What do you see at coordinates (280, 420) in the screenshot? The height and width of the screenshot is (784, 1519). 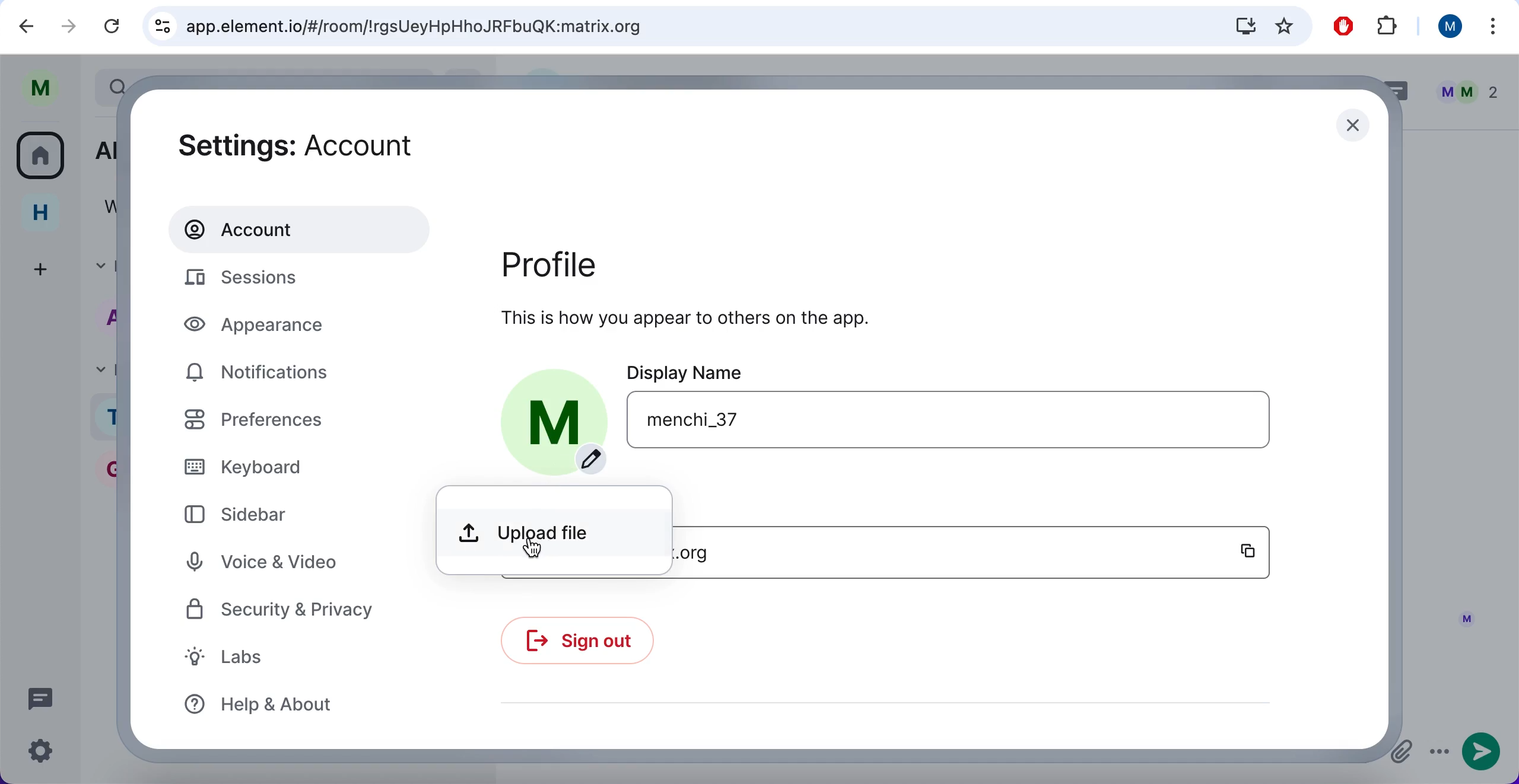 I see `preferences` at bounding box center [280, 420].